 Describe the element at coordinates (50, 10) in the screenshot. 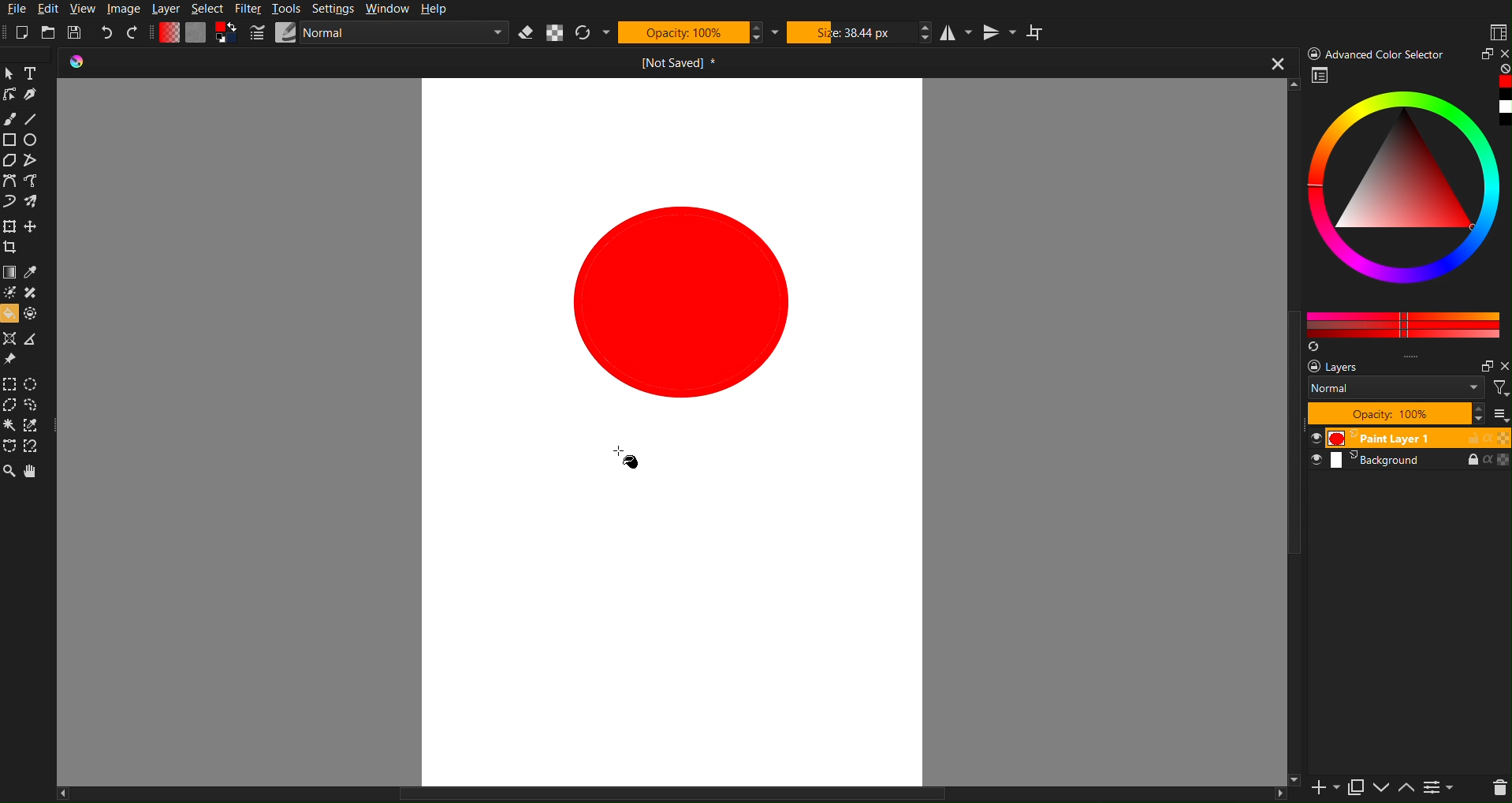

I see `Edit` at that location.